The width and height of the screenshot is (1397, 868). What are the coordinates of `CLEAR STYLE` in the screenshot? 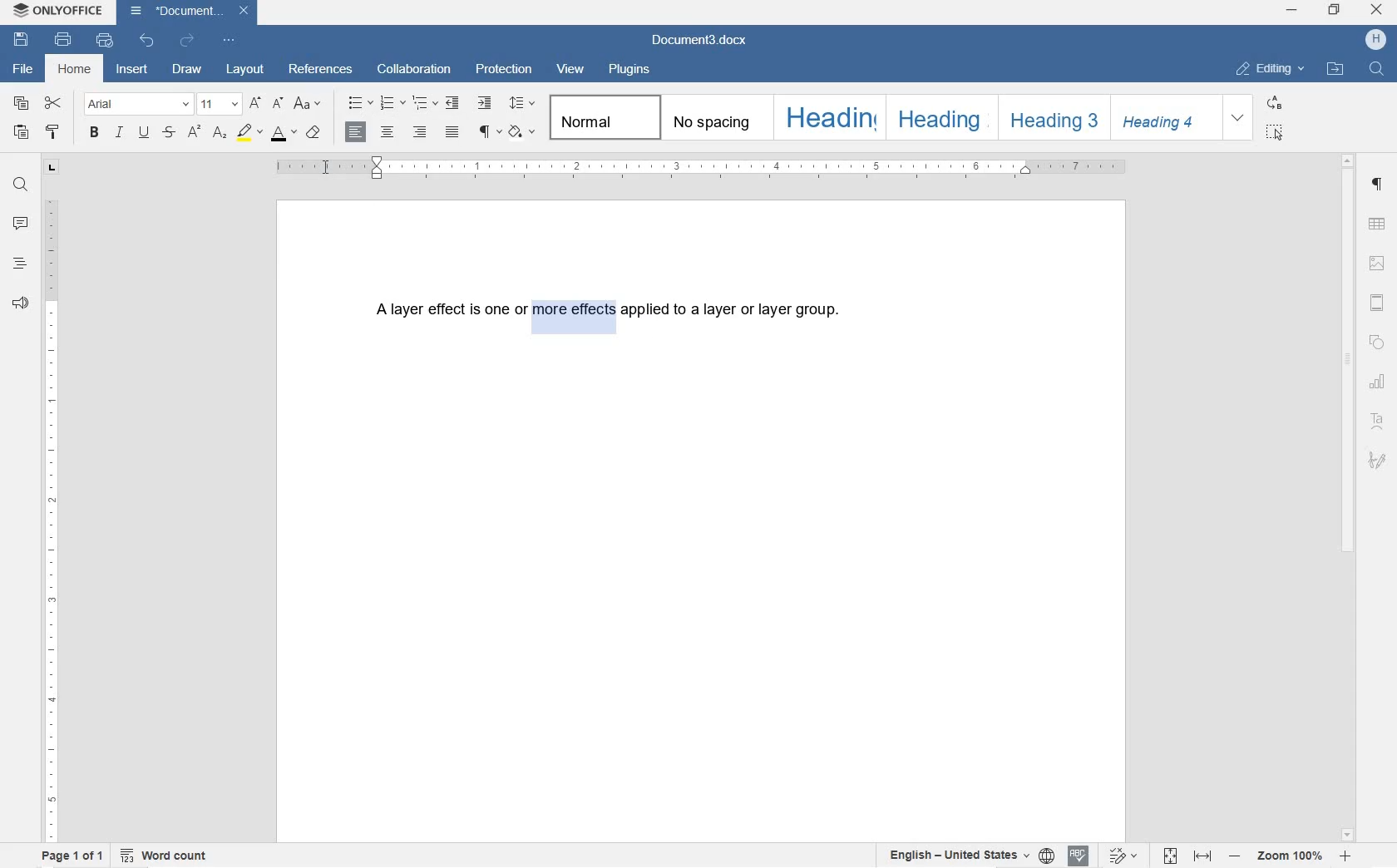 It's located at (315, 133).